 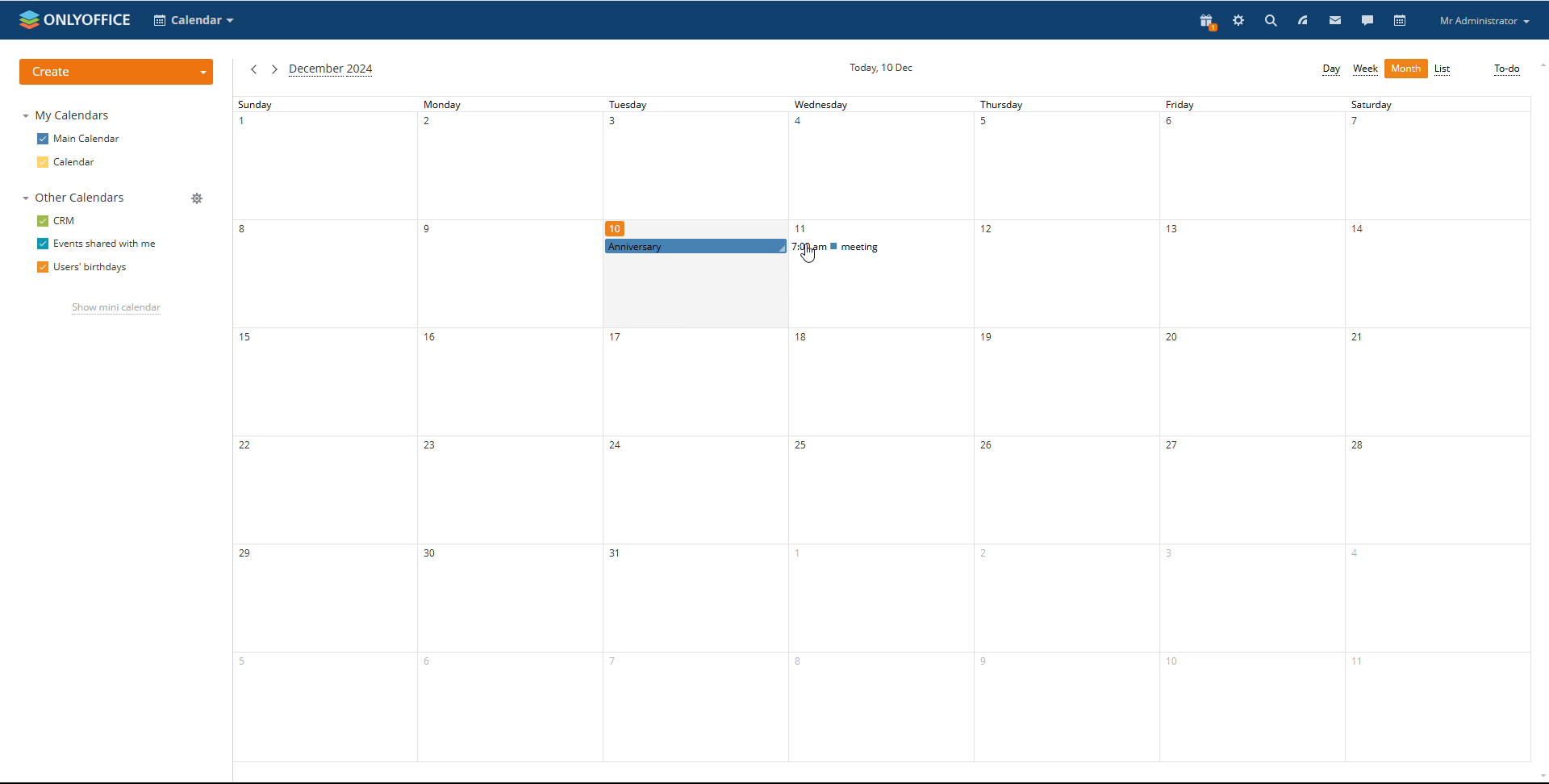 What do you see at coordinates (1336, 20) in the screenshot?
I see `mail` at bounding box center [1336, 20].